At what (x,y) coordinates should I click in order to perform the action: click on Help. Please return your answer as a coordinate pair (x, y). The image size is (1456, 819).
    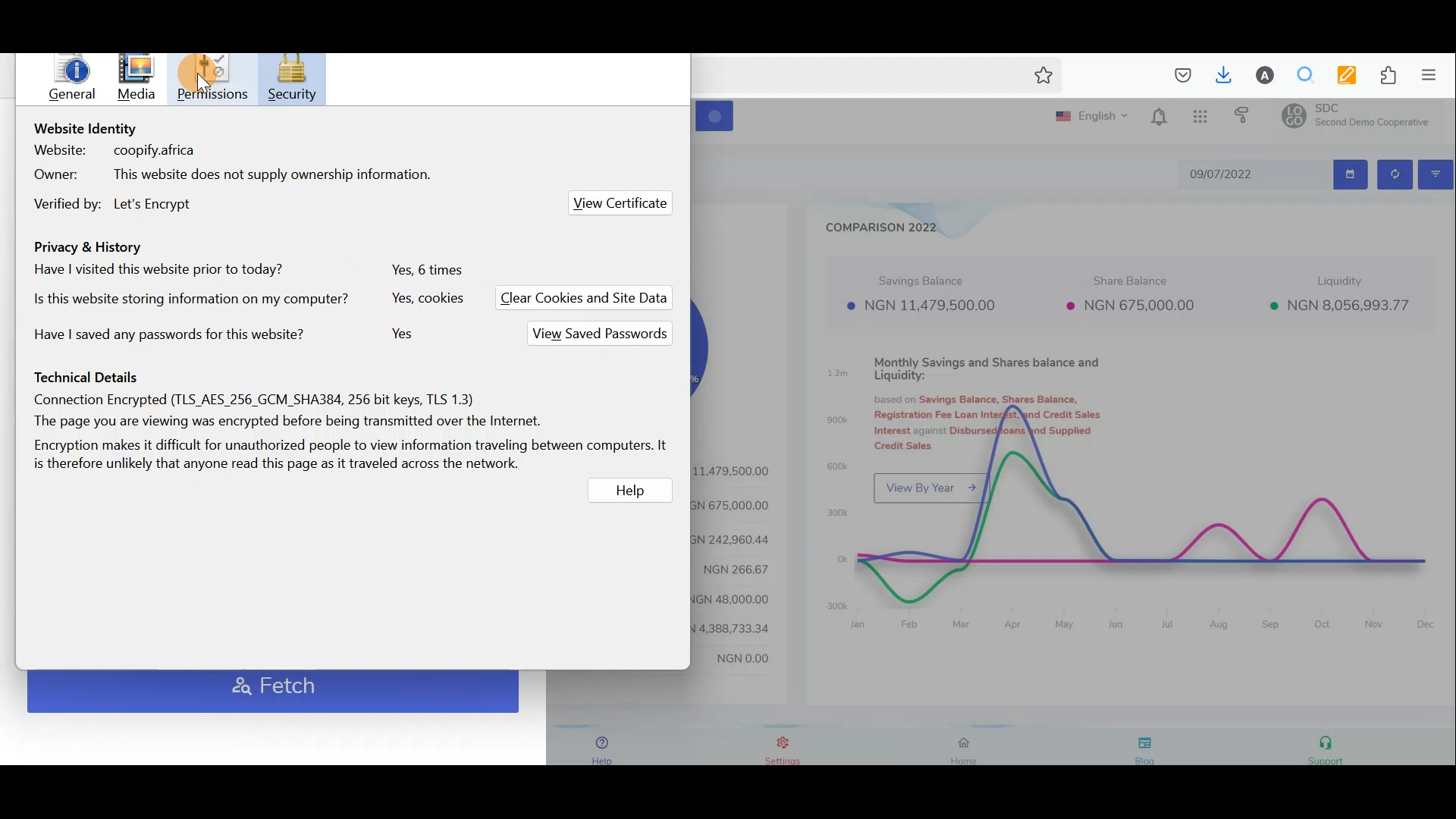
    Looking at the image, I should click on (632, 493).